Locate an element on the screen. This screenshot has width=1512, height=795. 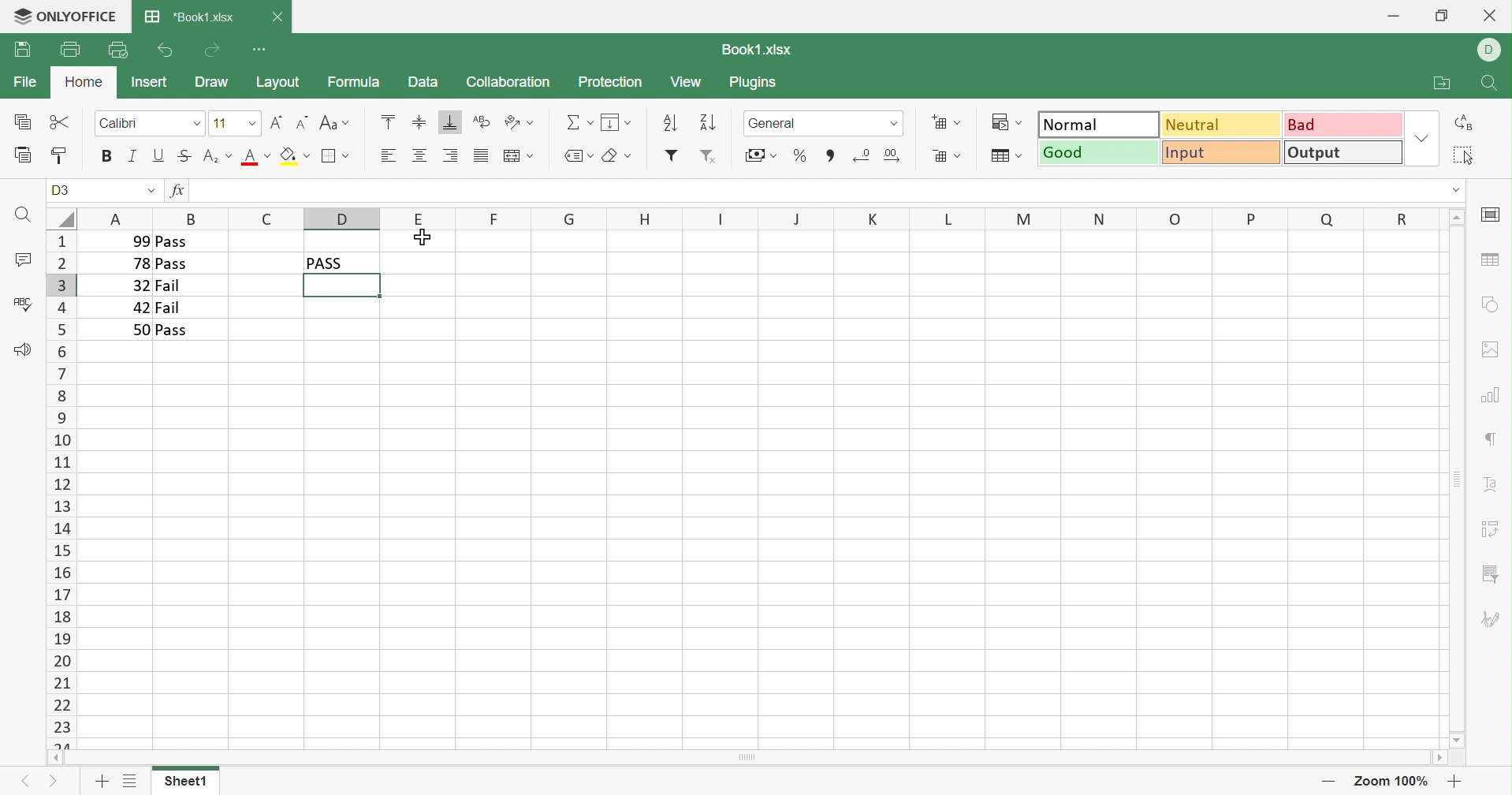
Quick print is located at coordinates (118, 52).